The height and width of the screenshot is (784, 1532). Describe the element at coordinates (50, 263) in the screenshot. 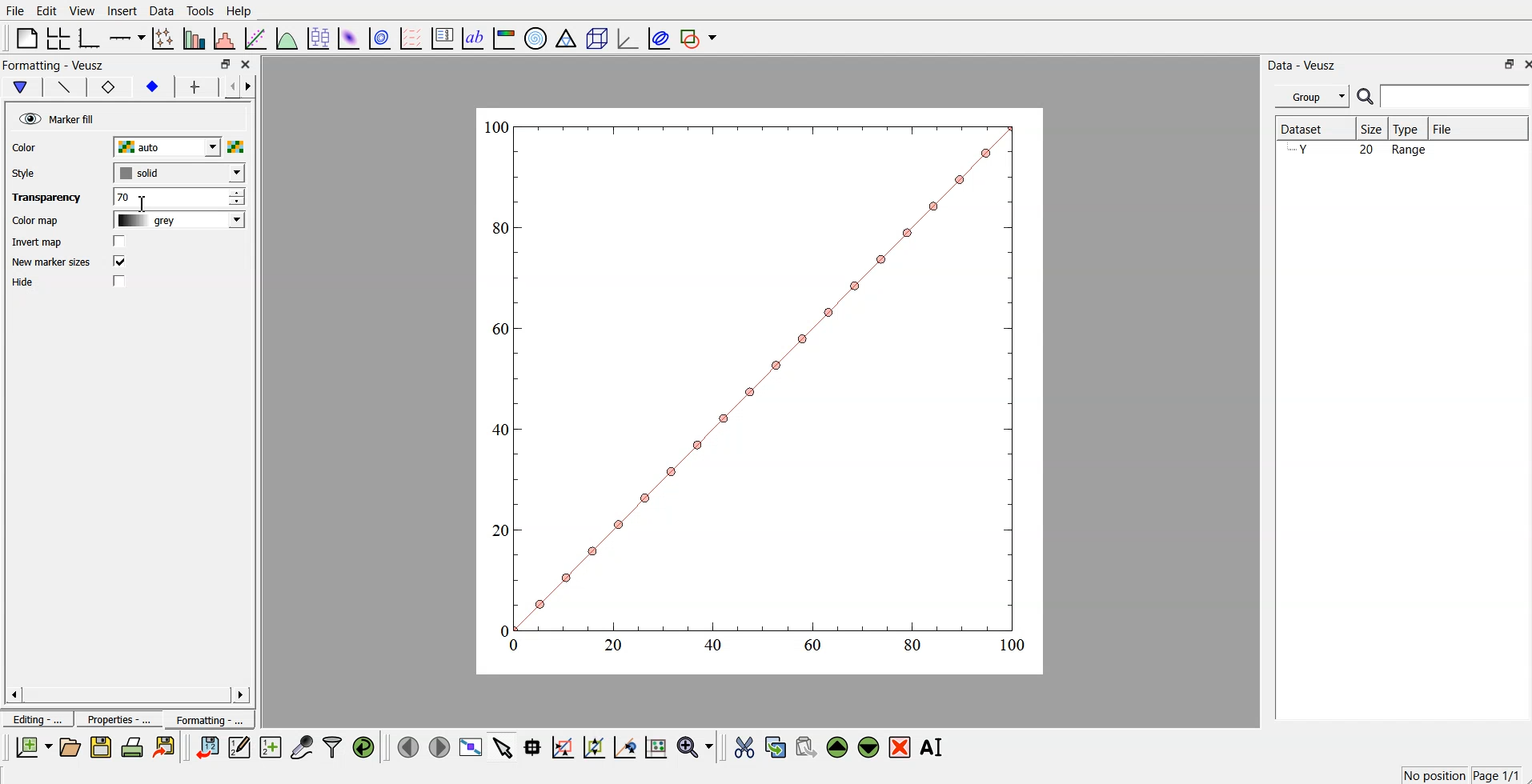

I see `| New marker sizes` at that location.